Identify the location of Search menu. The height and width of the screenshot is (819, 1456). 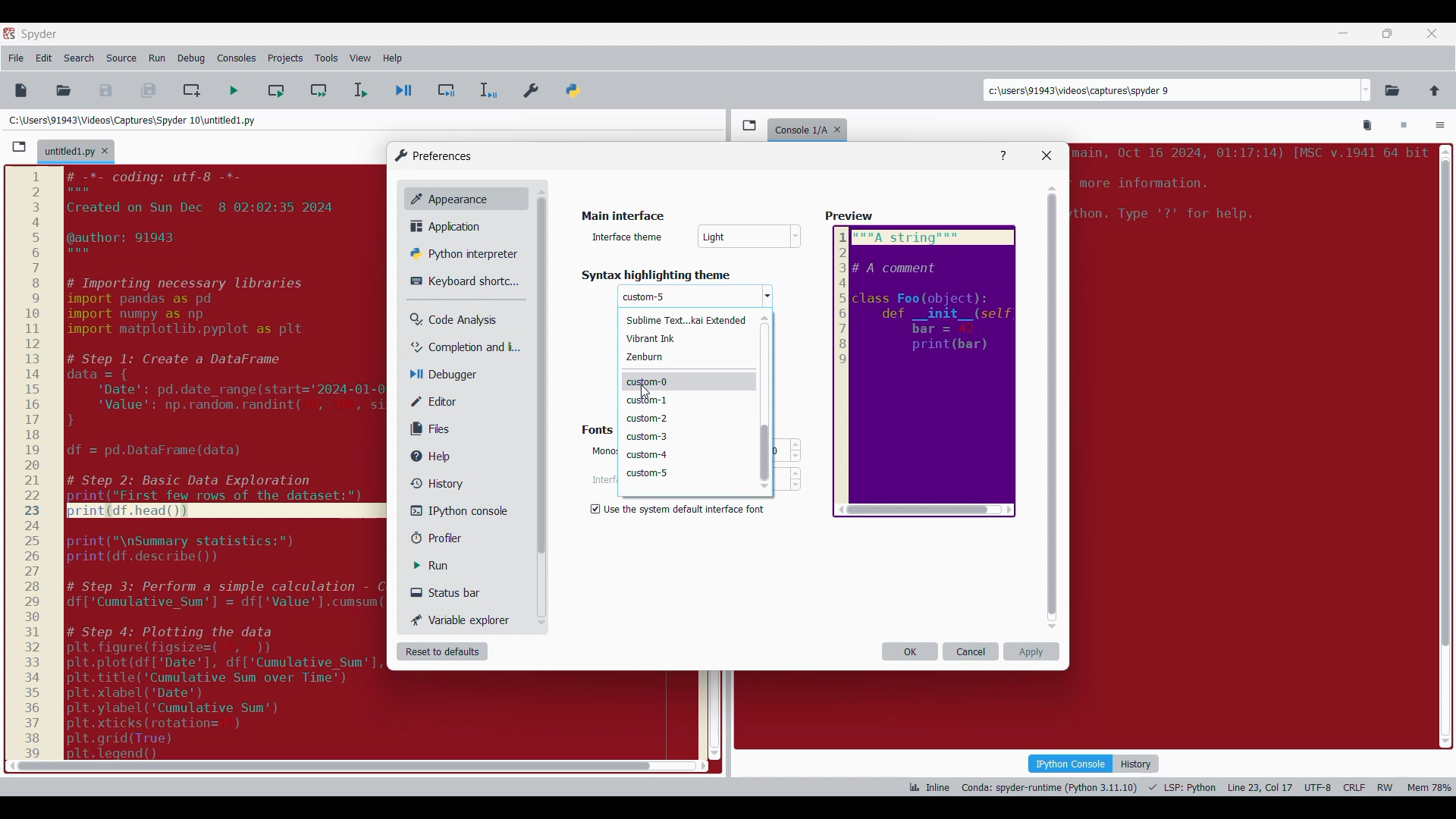
(80, 58).